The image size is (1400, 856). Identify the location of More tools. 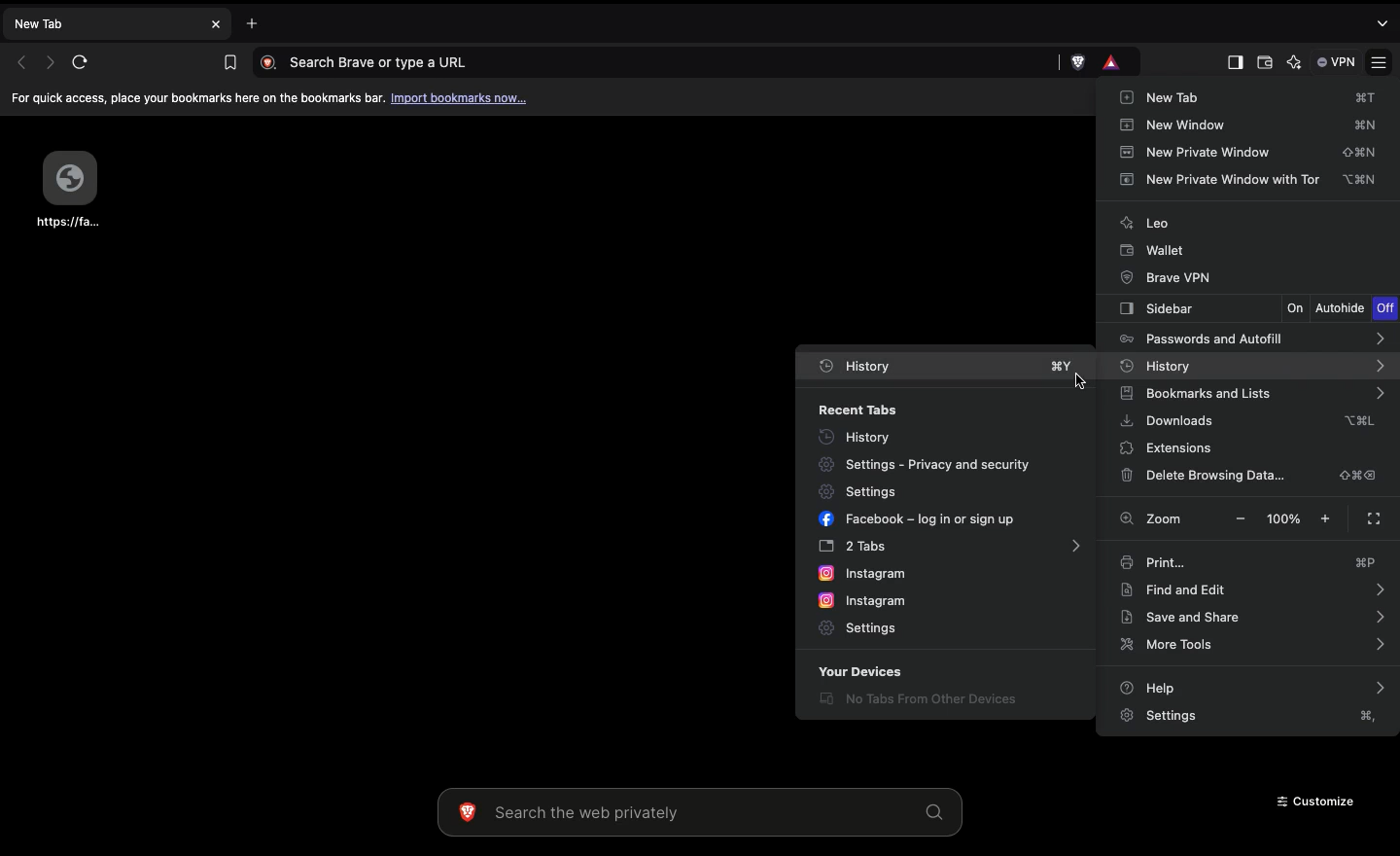
(1255, 645).